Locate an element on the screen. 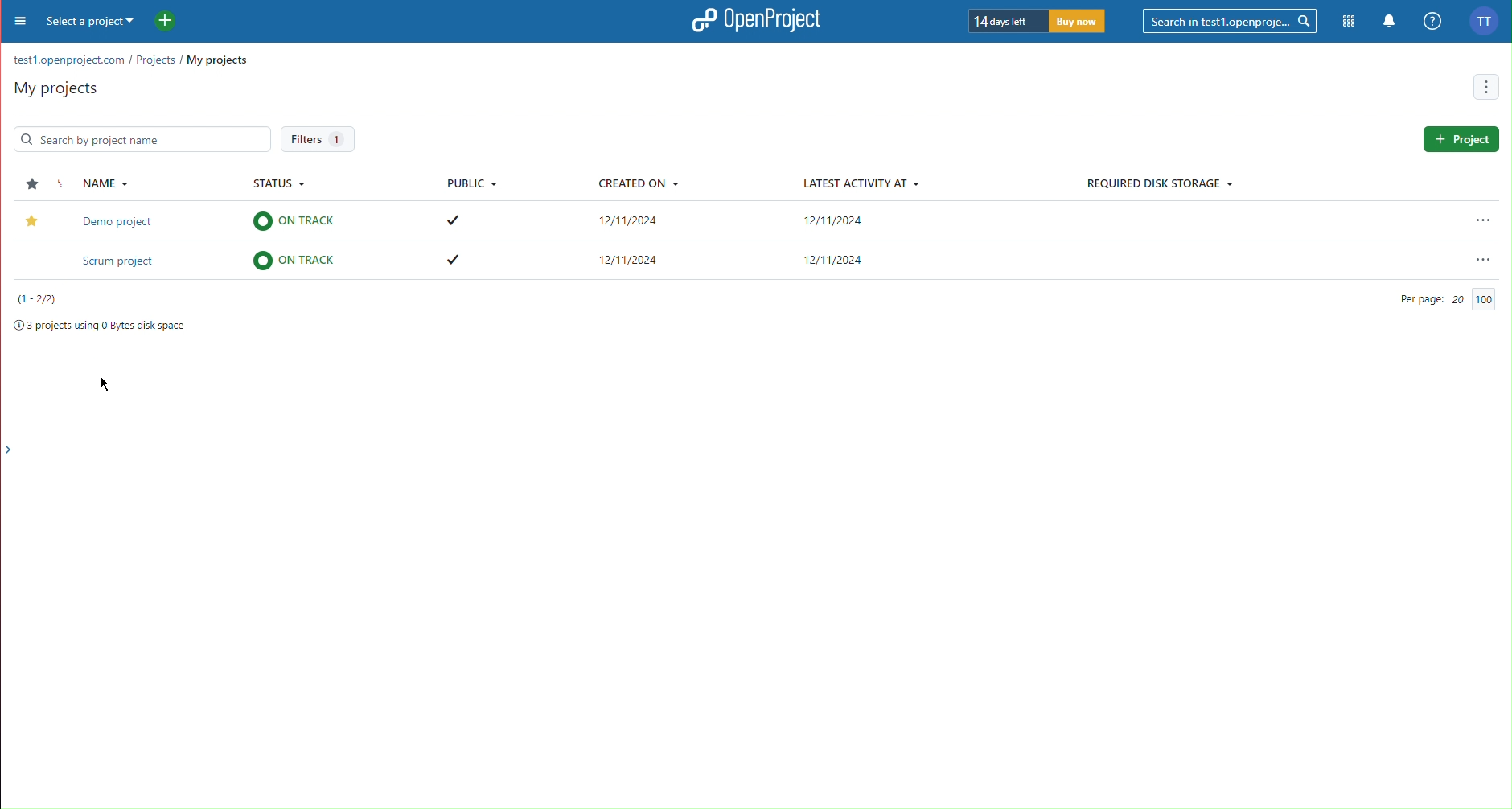 The width and height of the screenshot is (1512, 809). OpenProject is located at coordinates (759, 21).